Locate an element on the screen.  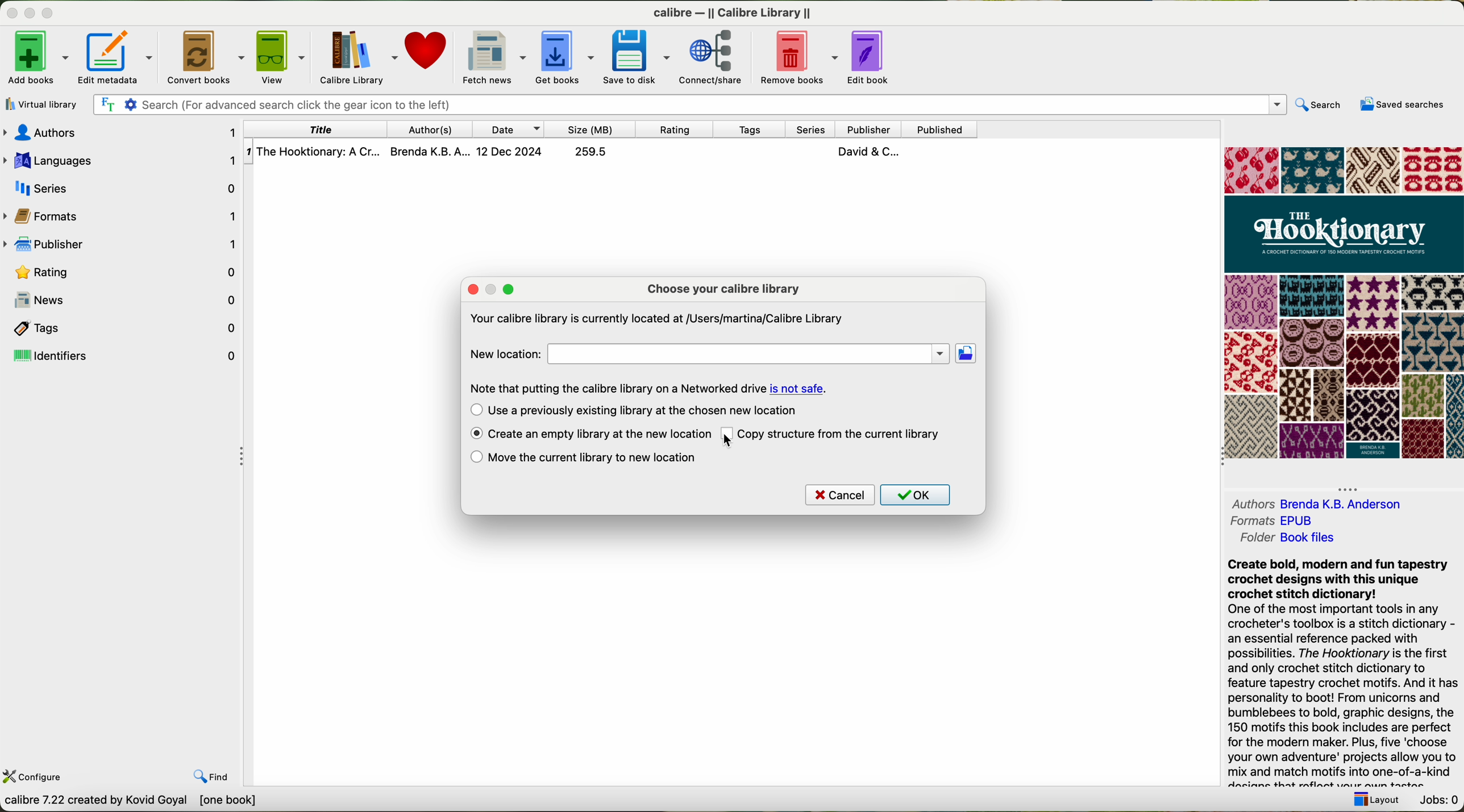
publisher is located at coordinates (870, 130).